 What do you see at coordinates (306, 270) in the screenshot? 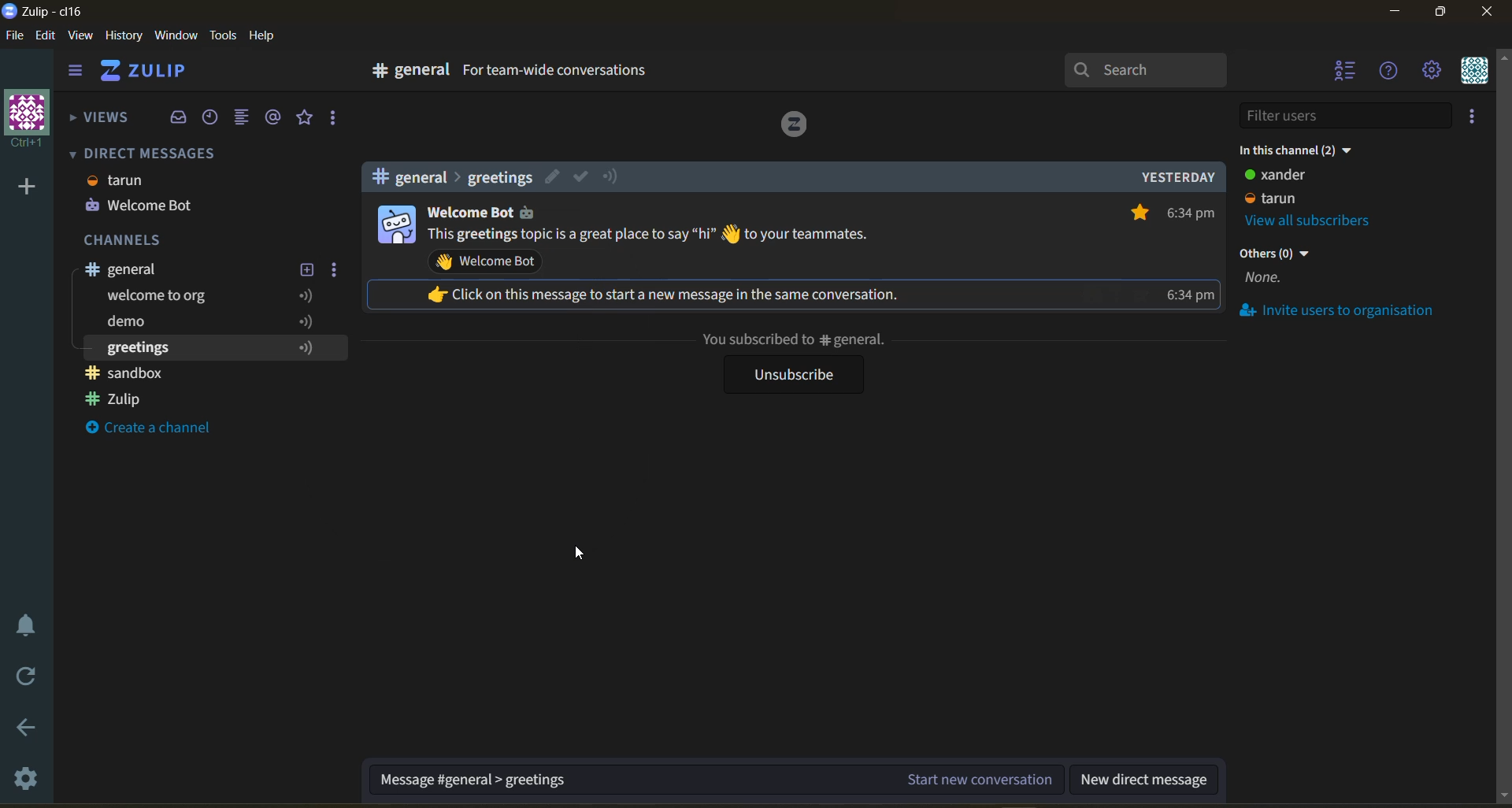
I see `new topic` at bounding box center [306, 270].